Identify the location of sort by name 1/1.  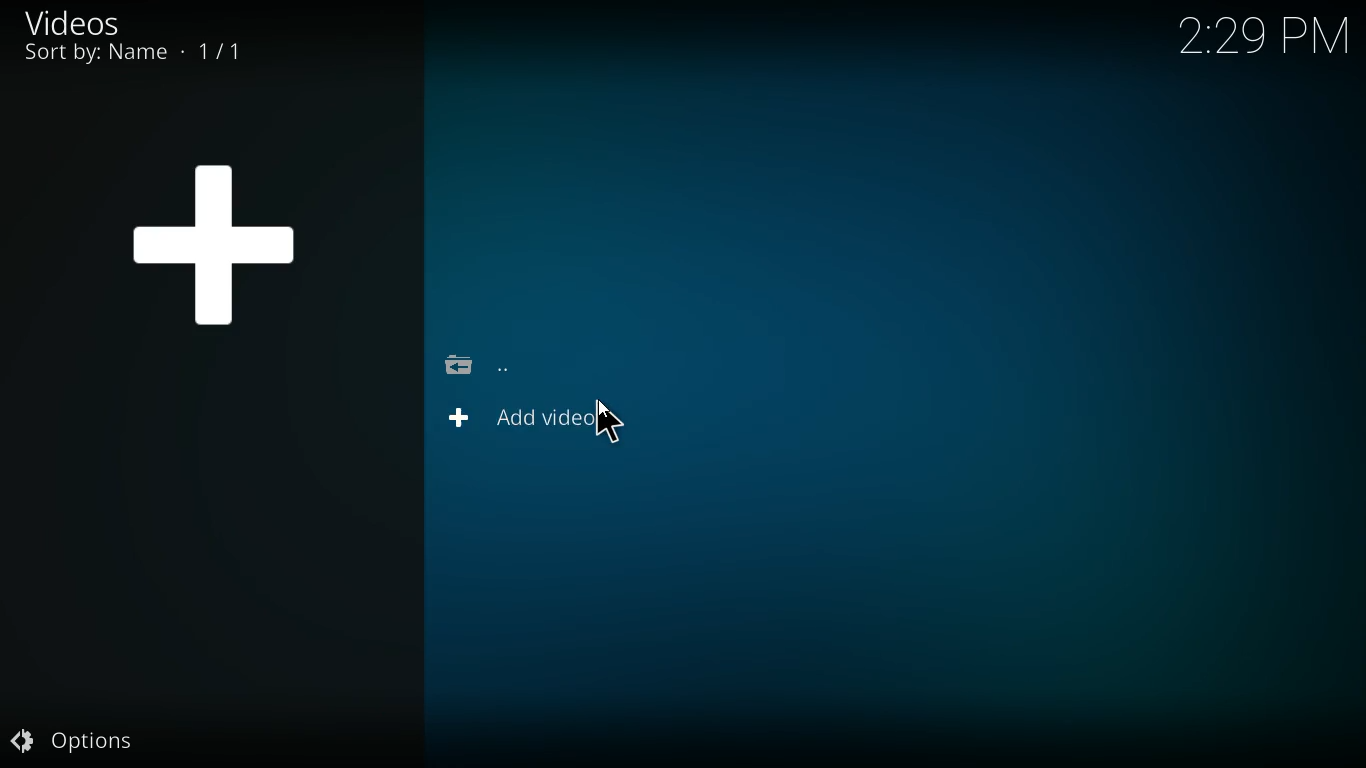
(133, 53).